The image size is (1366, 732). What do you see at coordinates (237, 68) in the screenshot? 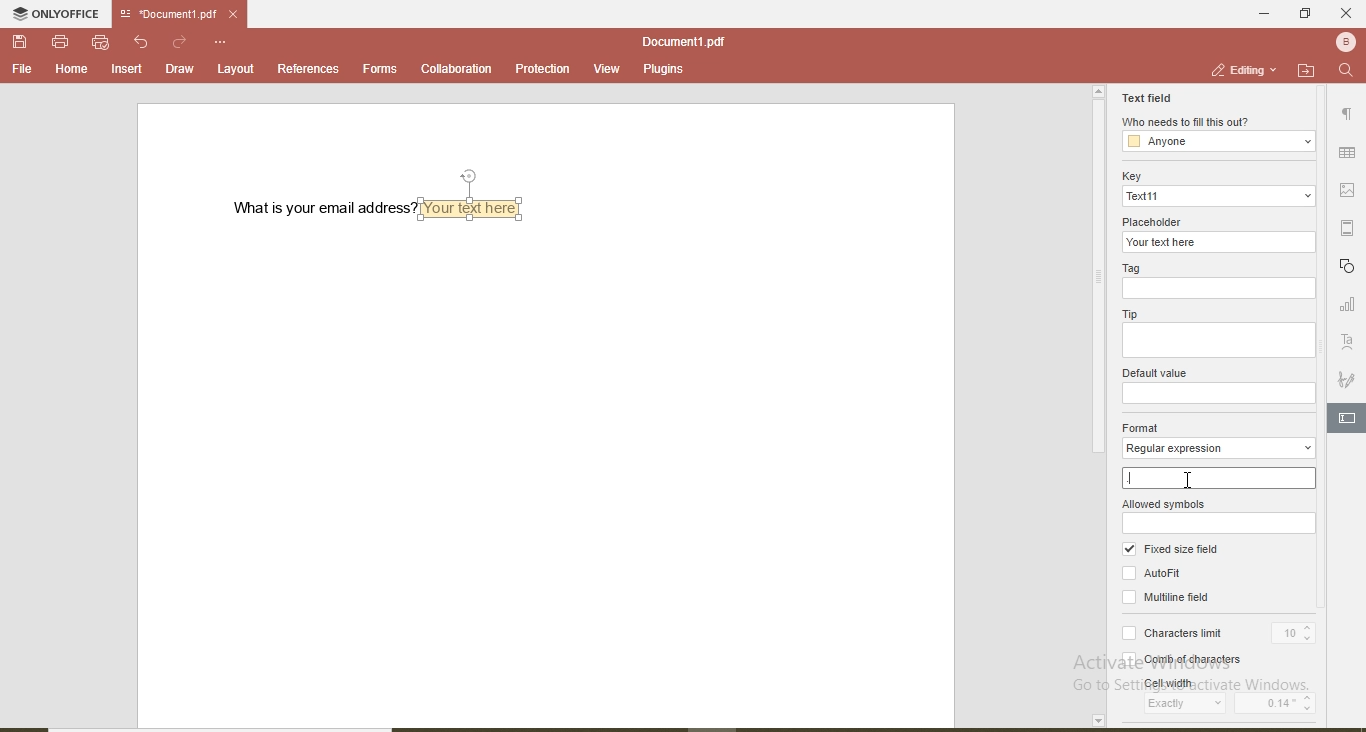
I see `layout` at bounding box center [237, 68].